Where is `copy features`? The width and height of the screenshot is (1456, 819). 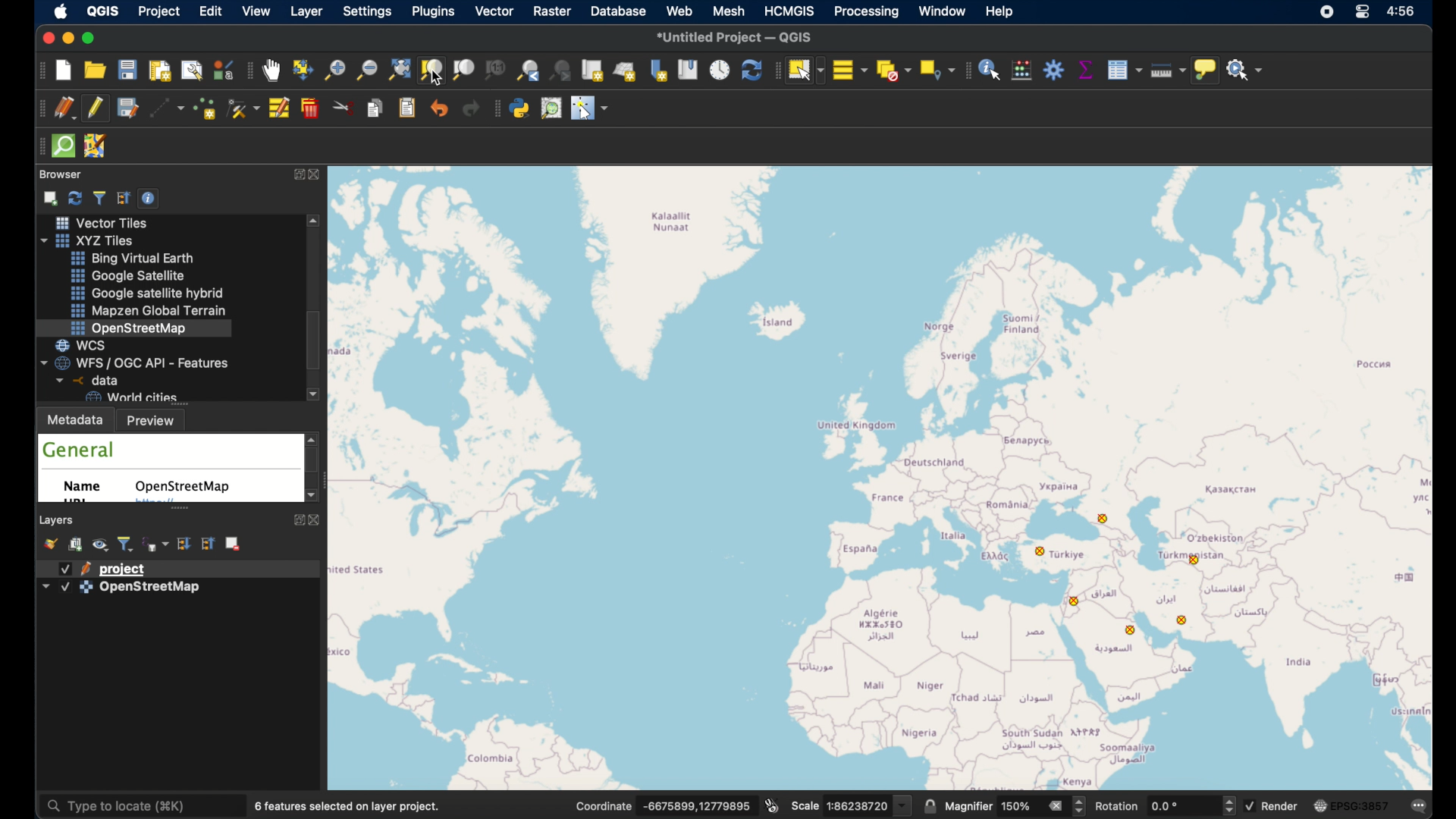
copy features is located at coordinates (377, 110).